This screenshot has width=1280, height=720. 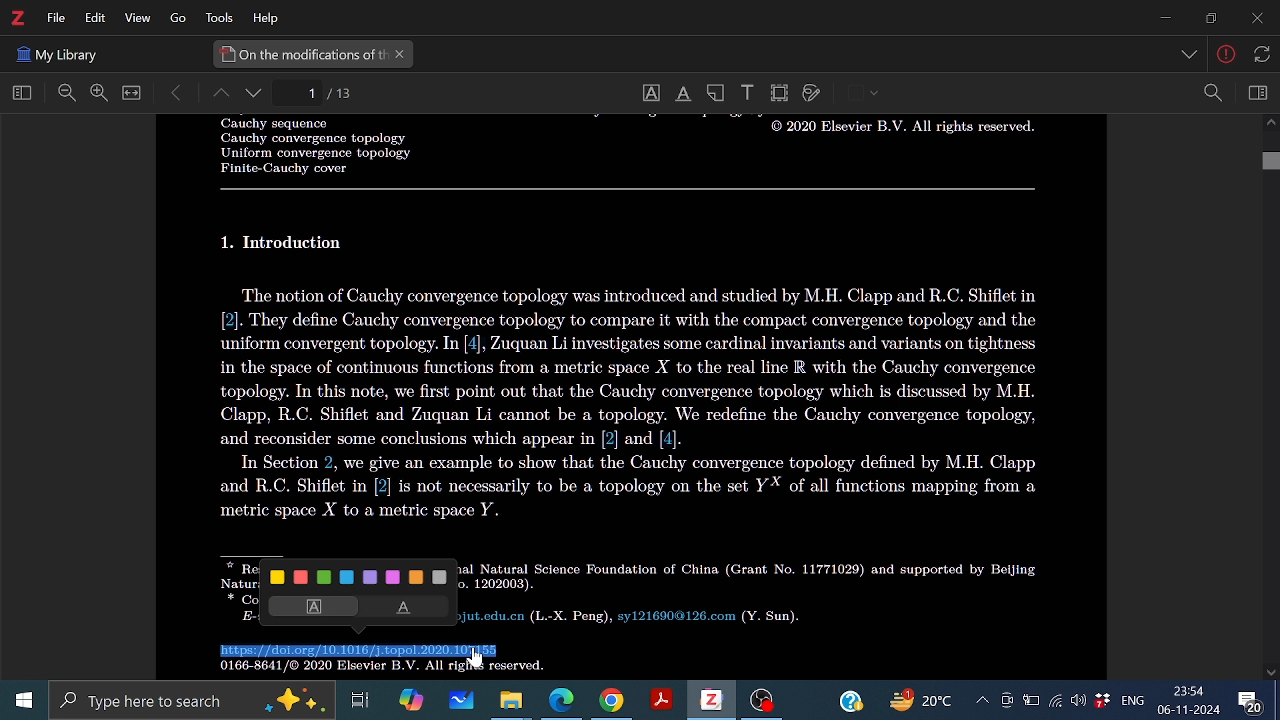 I want to click on , so click(x=57, y=52).